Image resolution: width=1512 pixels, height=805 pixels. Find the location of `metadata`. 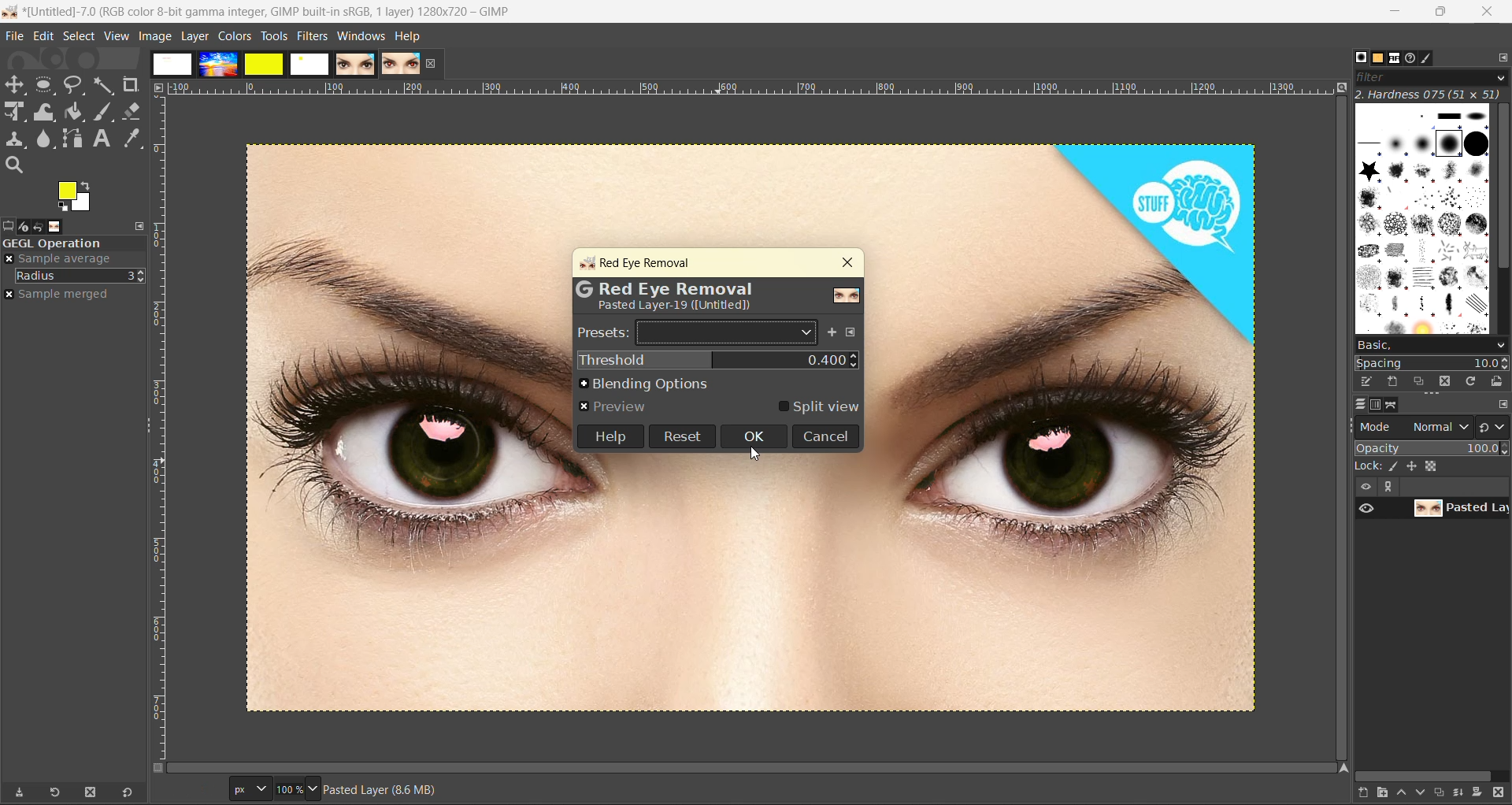

metadata is located at coordinates (380, 789).